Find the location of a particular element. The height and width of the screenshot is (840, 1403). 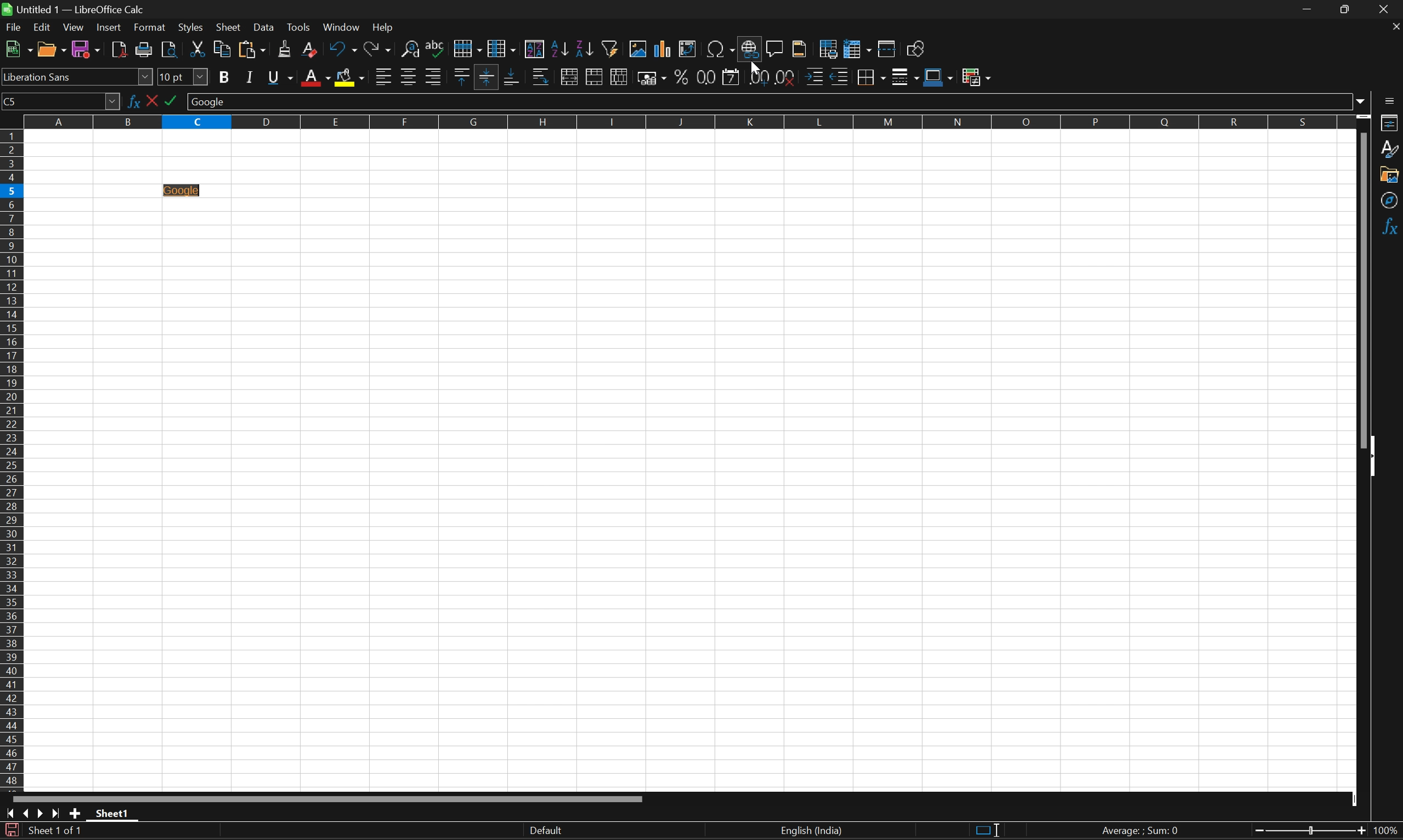

Freeze rows and columns is located at coordinates (858, 48).